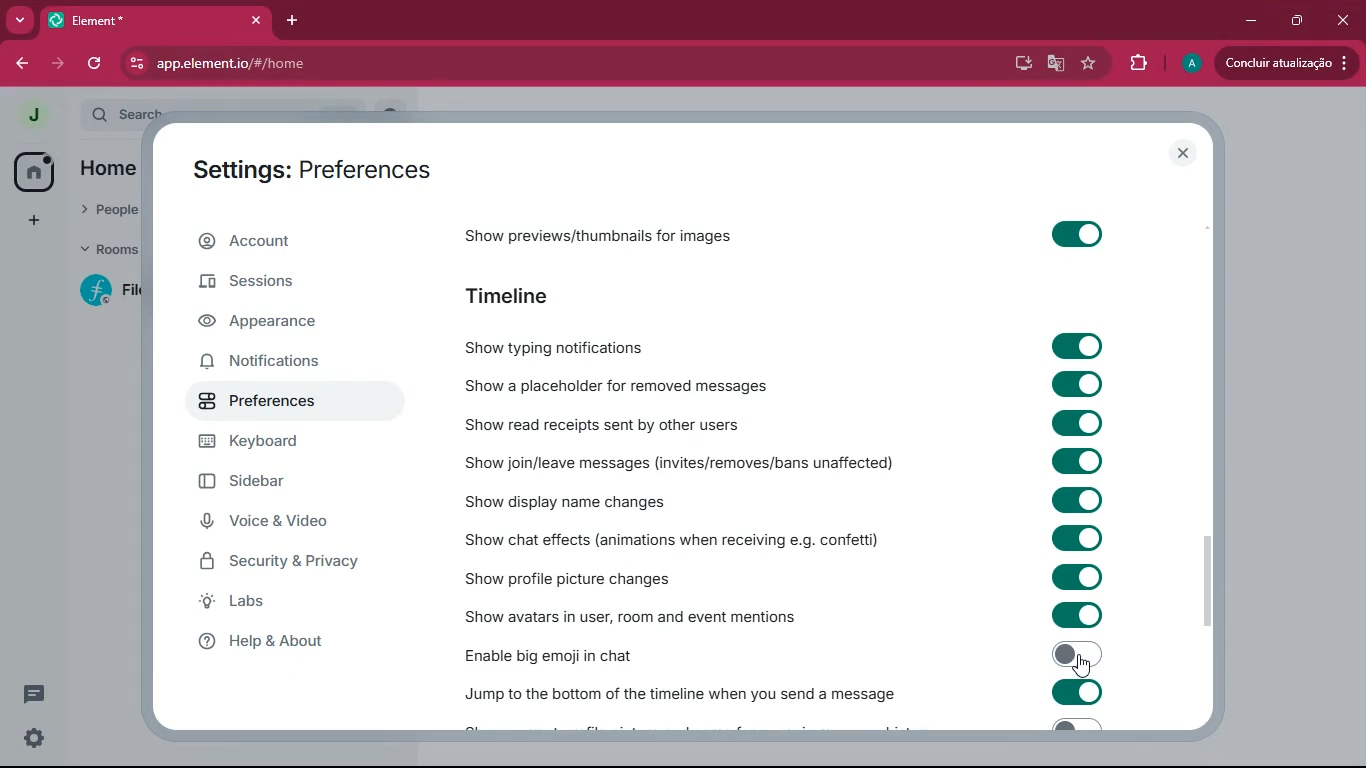  What do you see at coordinates (1091, 64) in the screenshot?
I see `favourite` at bounding box center [1091, 64].